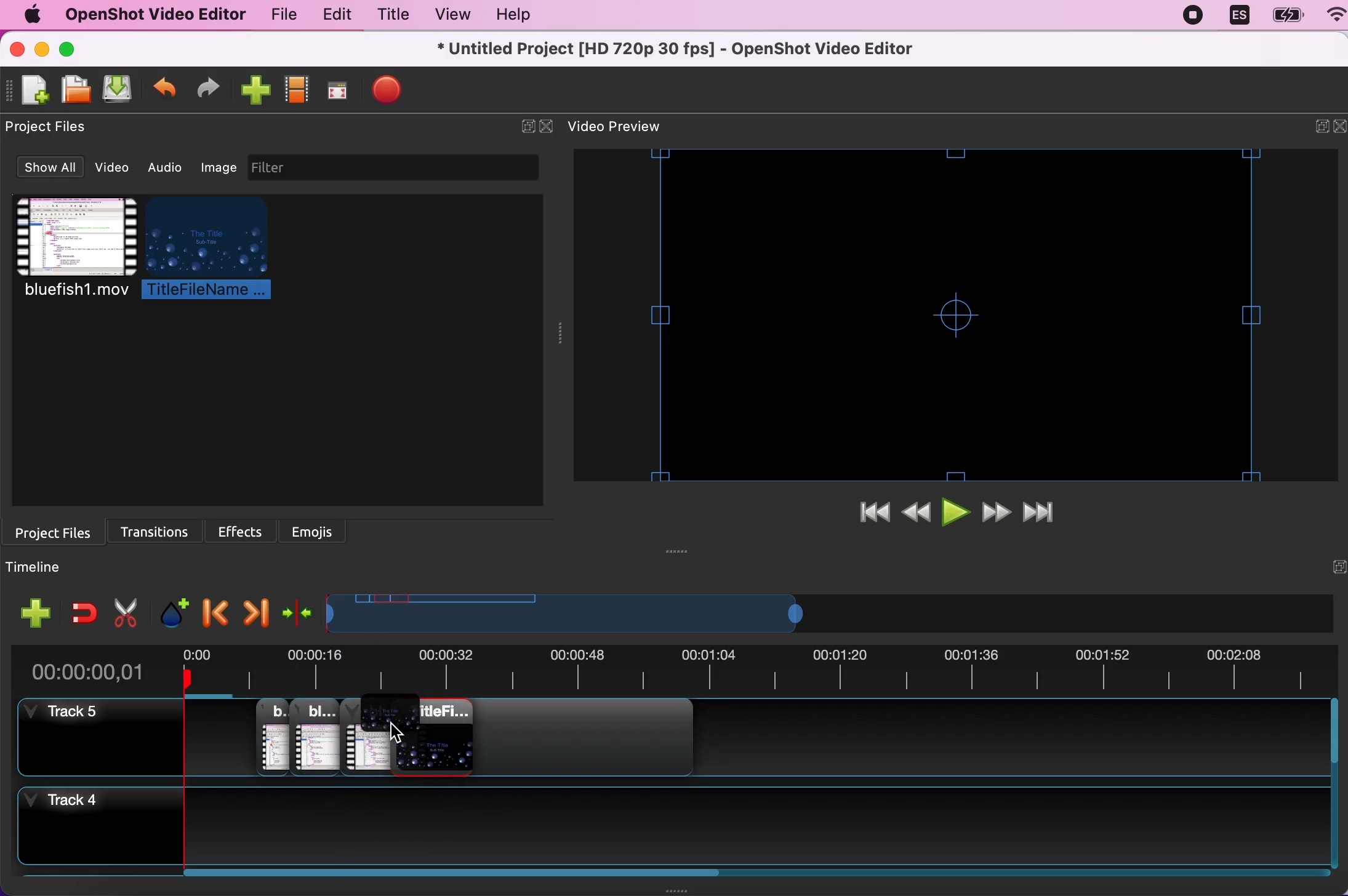  What do you see at coordinates (169, 167) in the screenshot?
I see `audio` at bounding box center [169, 167].